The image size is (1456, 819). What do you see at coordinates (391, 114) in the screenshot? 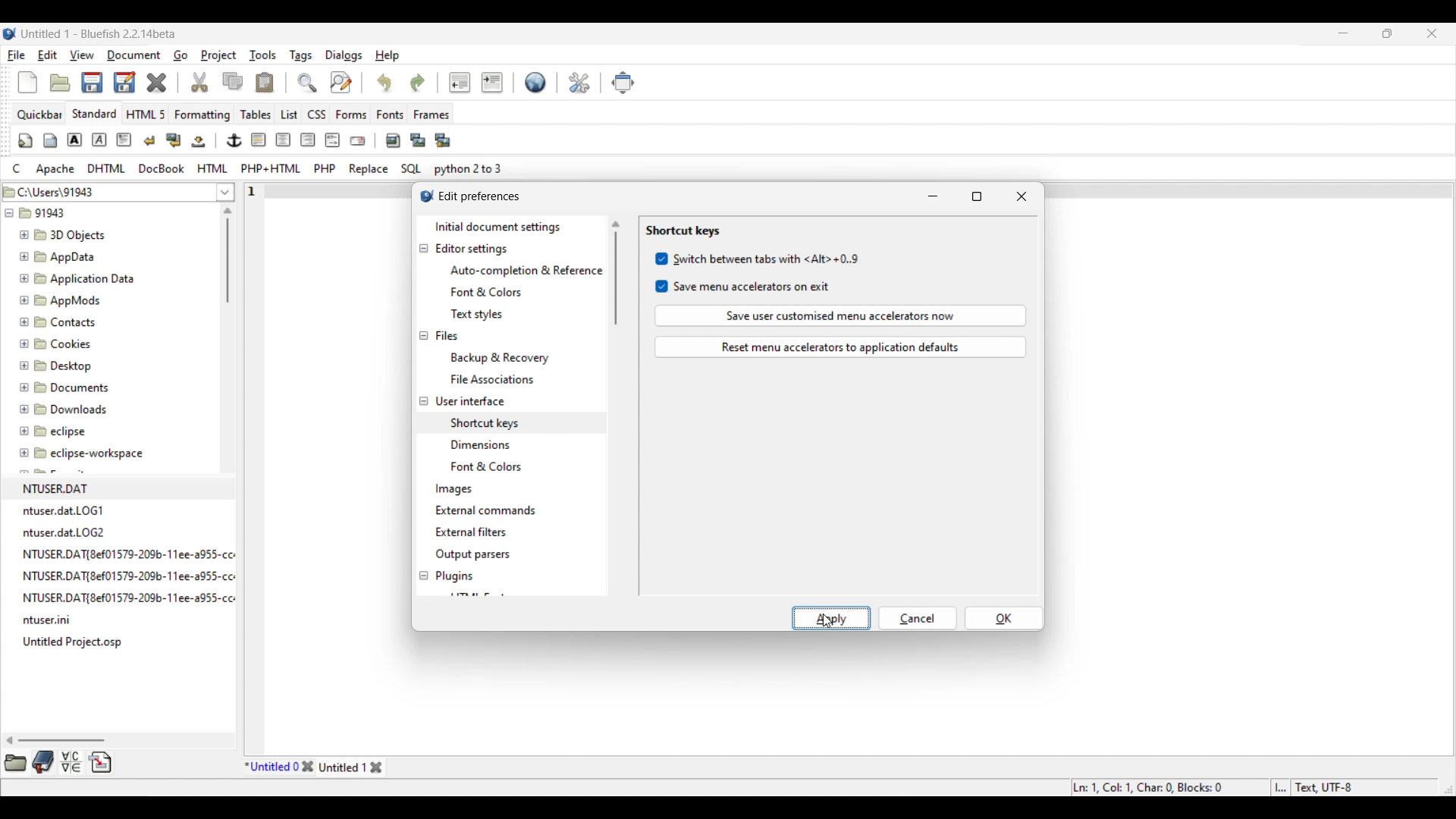
I see `Fonts` at bounding box center [391, 114].